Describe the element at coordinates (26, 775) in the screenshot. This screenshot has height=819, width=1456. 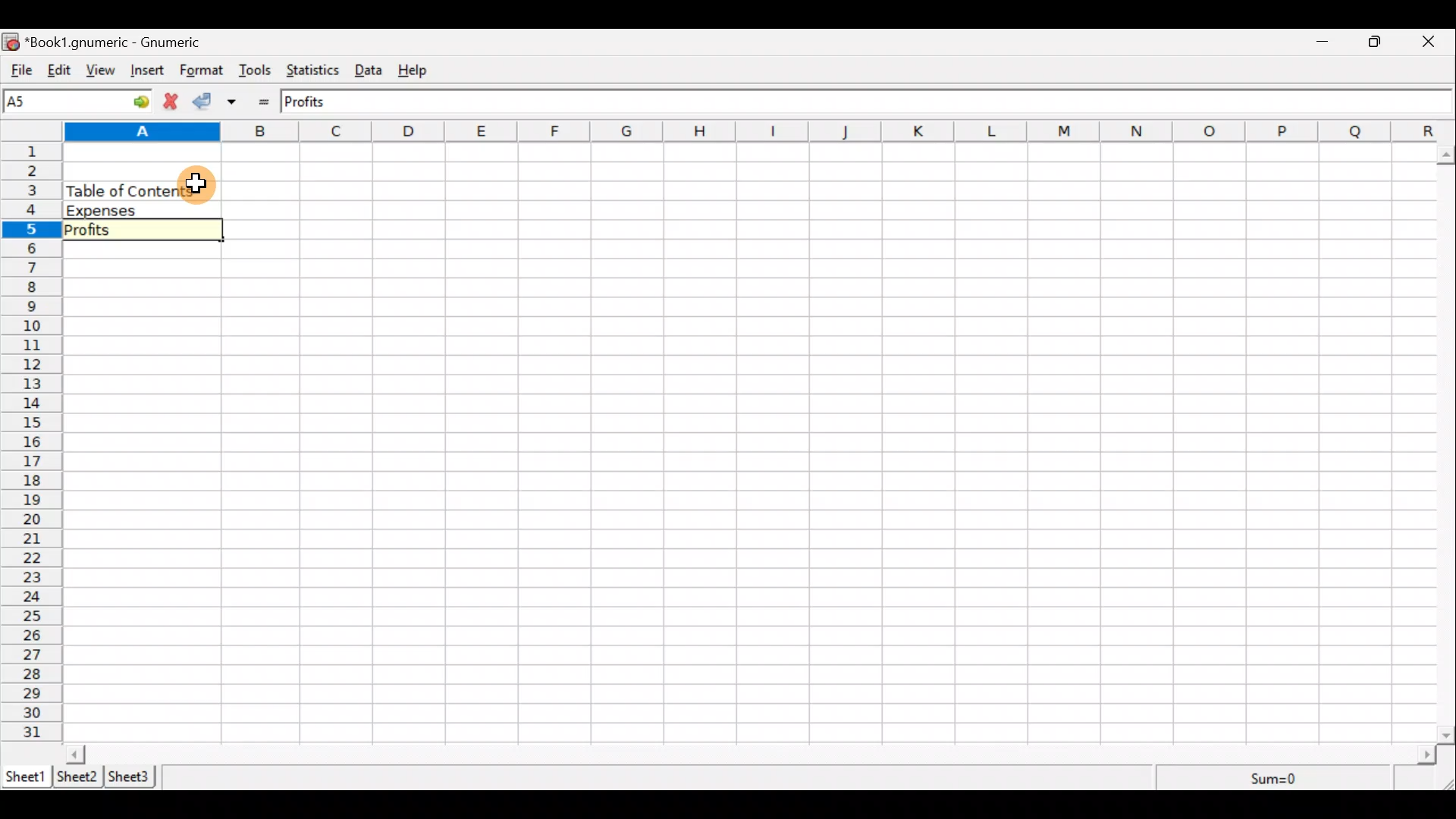
I see `Sheet 1` at that location.